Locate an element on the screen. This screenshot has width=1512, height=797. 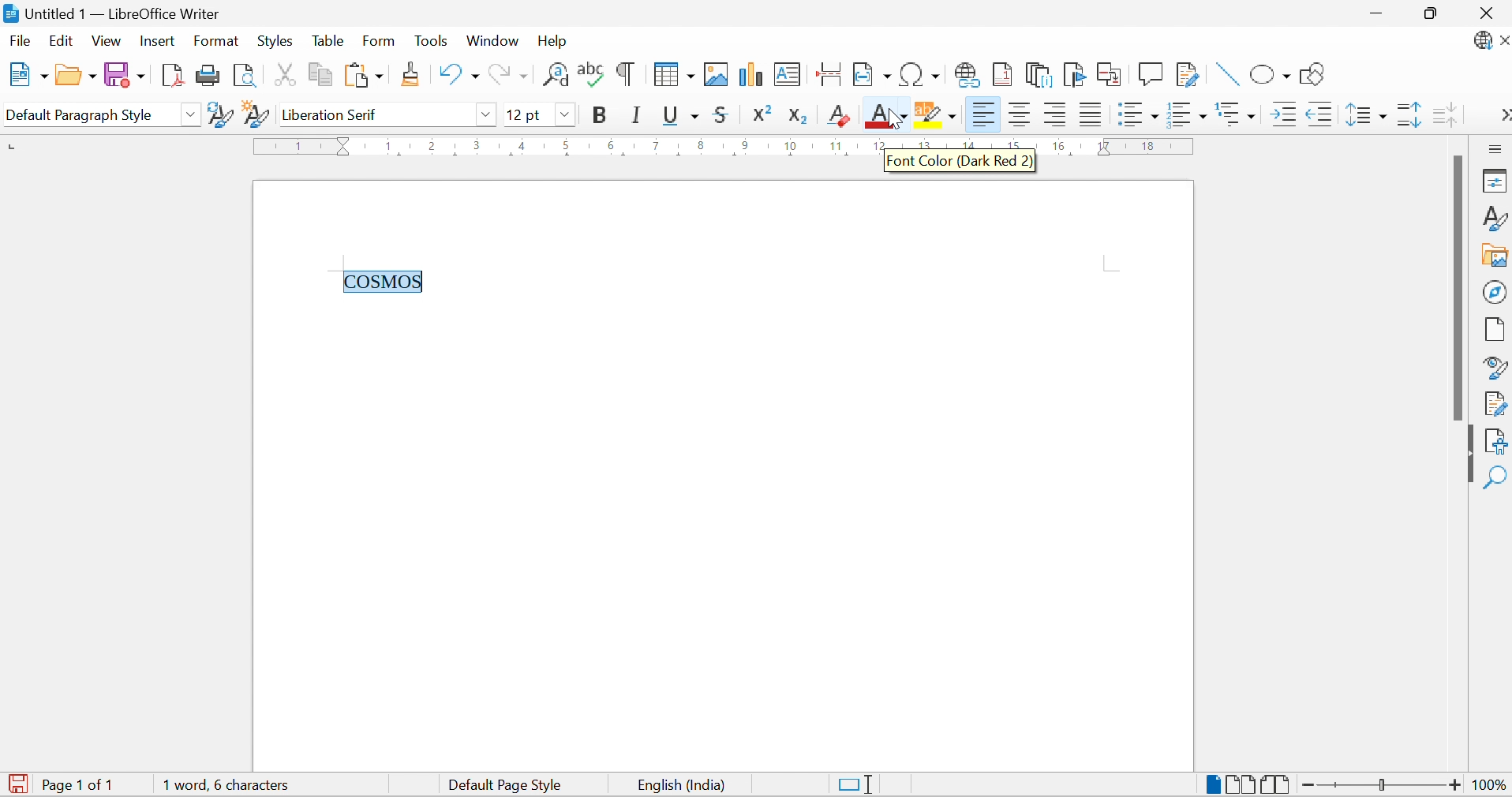
1 is located at coordinates (301, 146).